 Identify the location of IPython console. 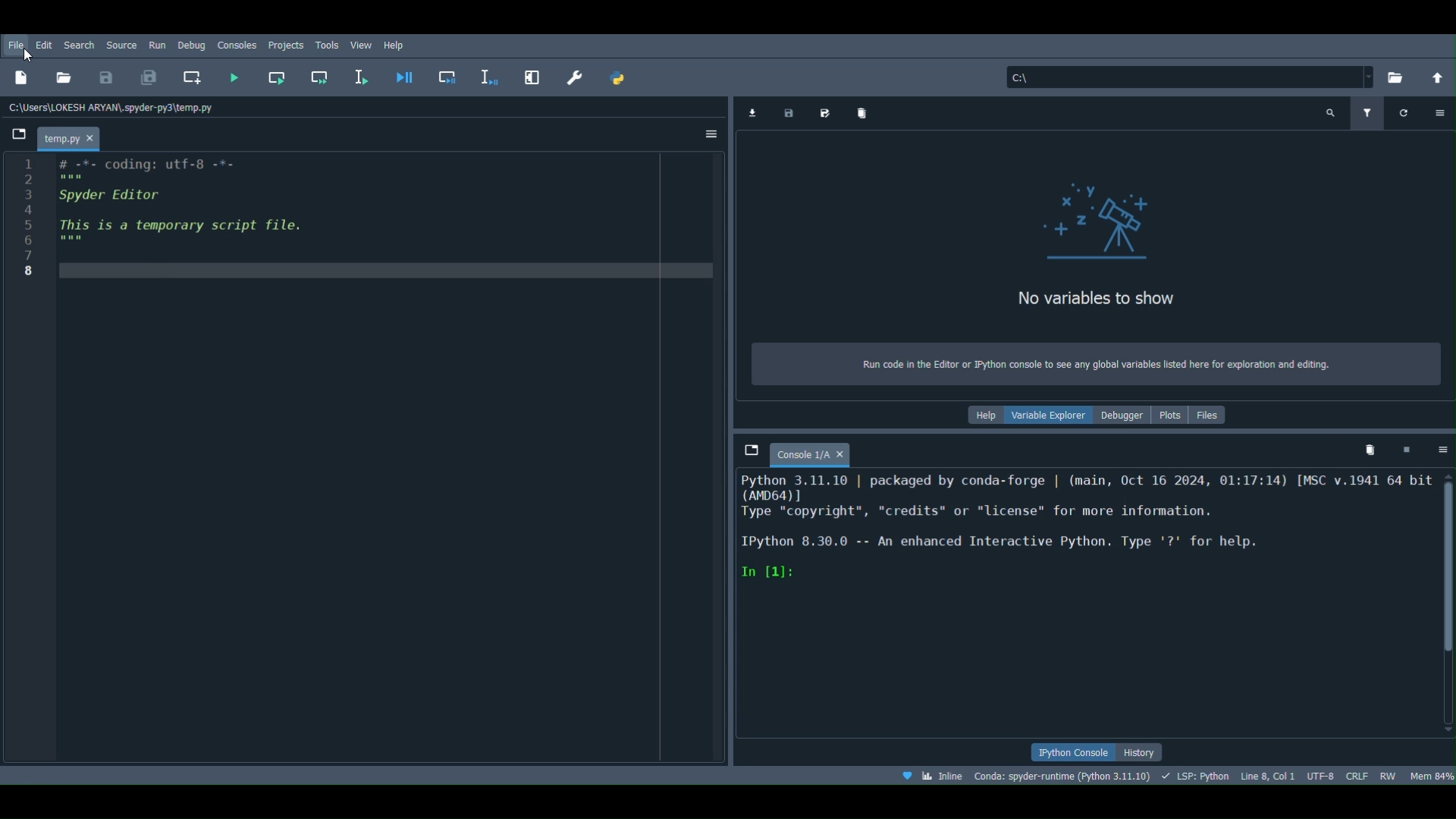
(1065, 752).